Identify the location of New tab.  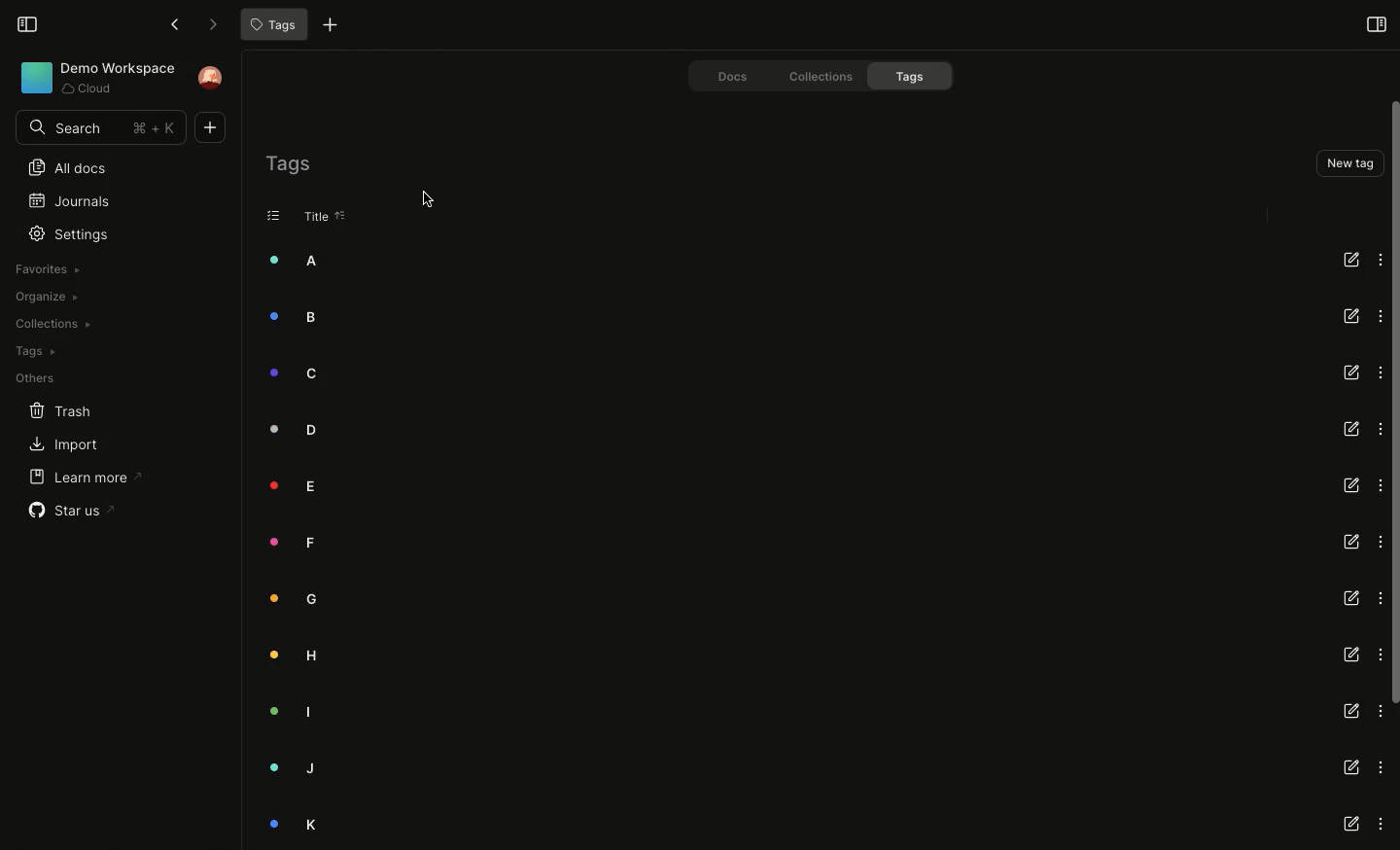
(326, 27).